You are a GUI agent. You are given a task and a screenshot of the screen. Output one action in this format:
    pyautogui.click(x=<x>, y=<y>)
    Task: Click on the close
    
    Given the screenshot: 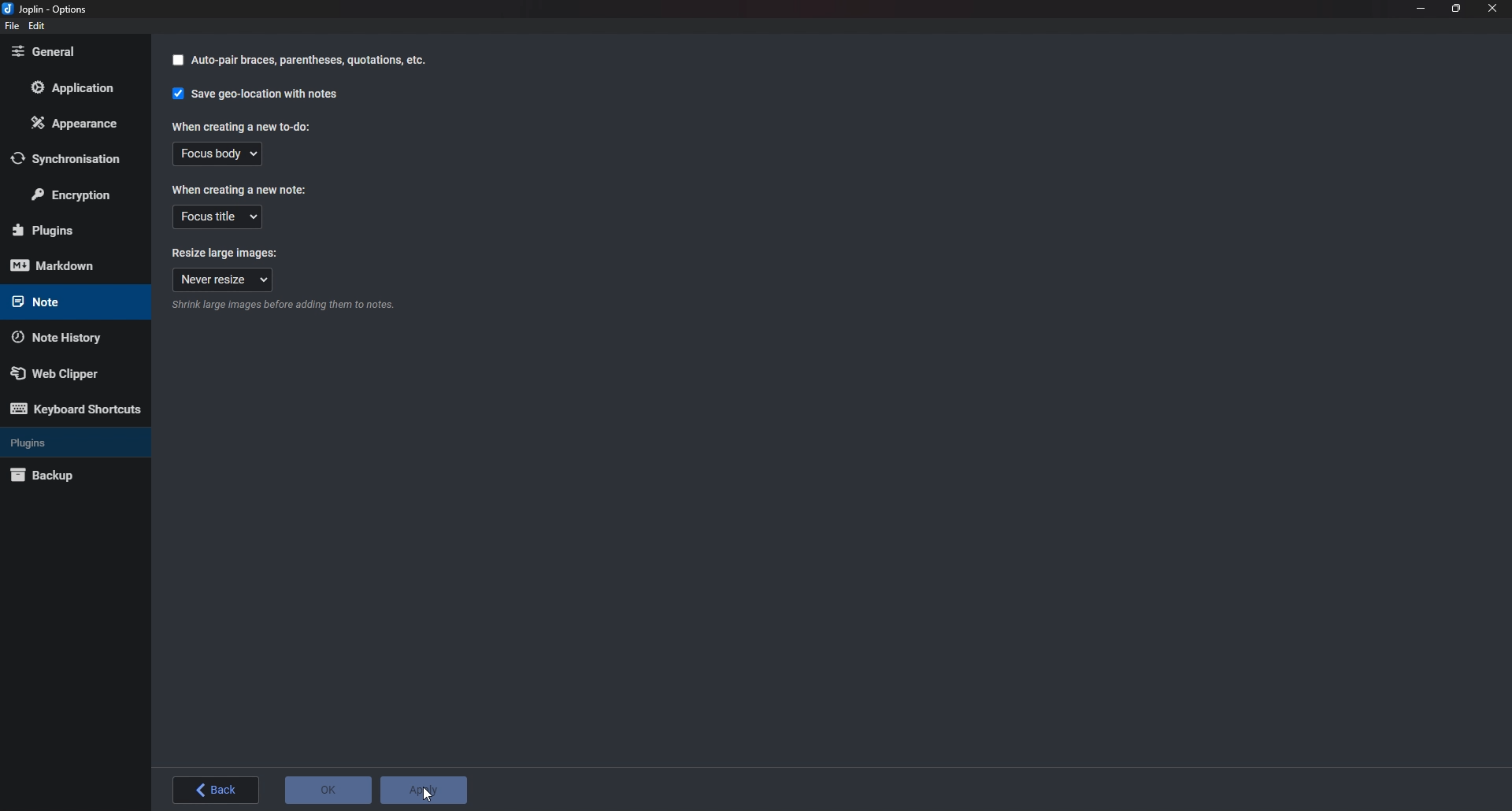 What is the action you would take?
    pyautogui.click(x=1492, y=10)
    